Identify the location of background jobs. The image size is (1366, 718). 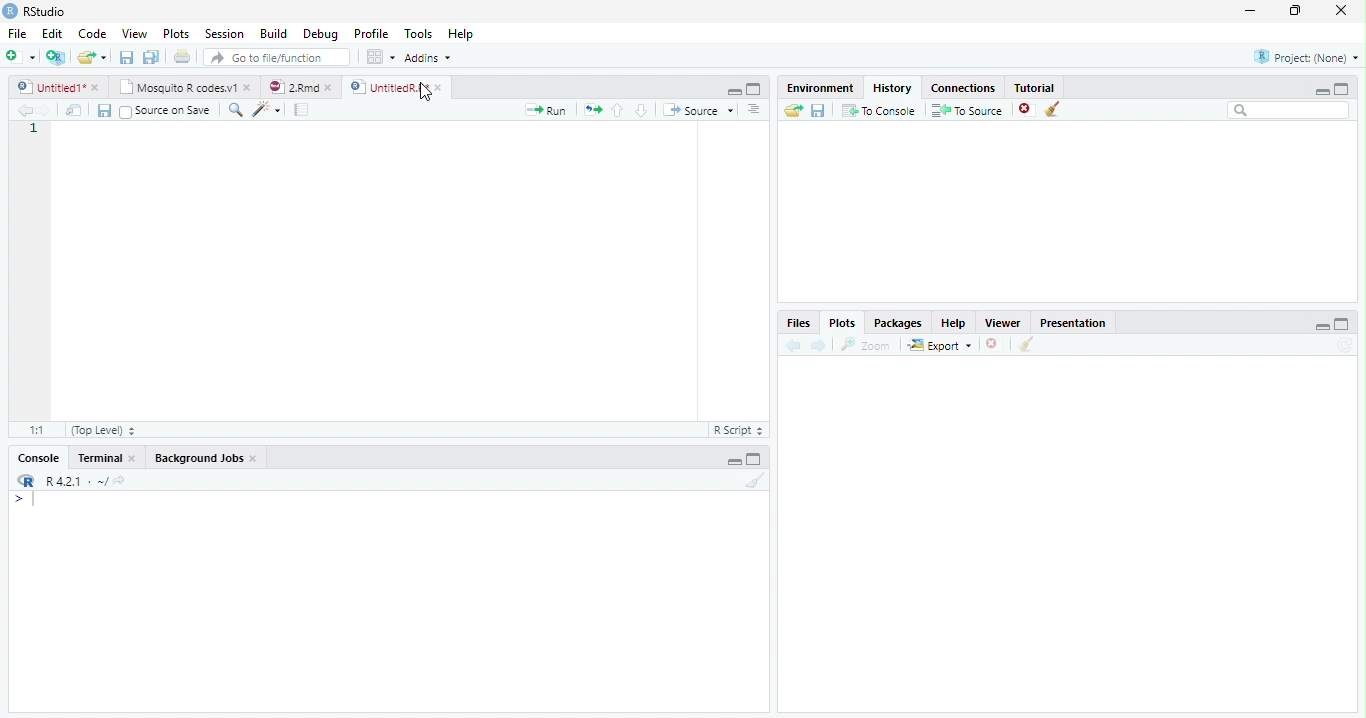
(207, 460).